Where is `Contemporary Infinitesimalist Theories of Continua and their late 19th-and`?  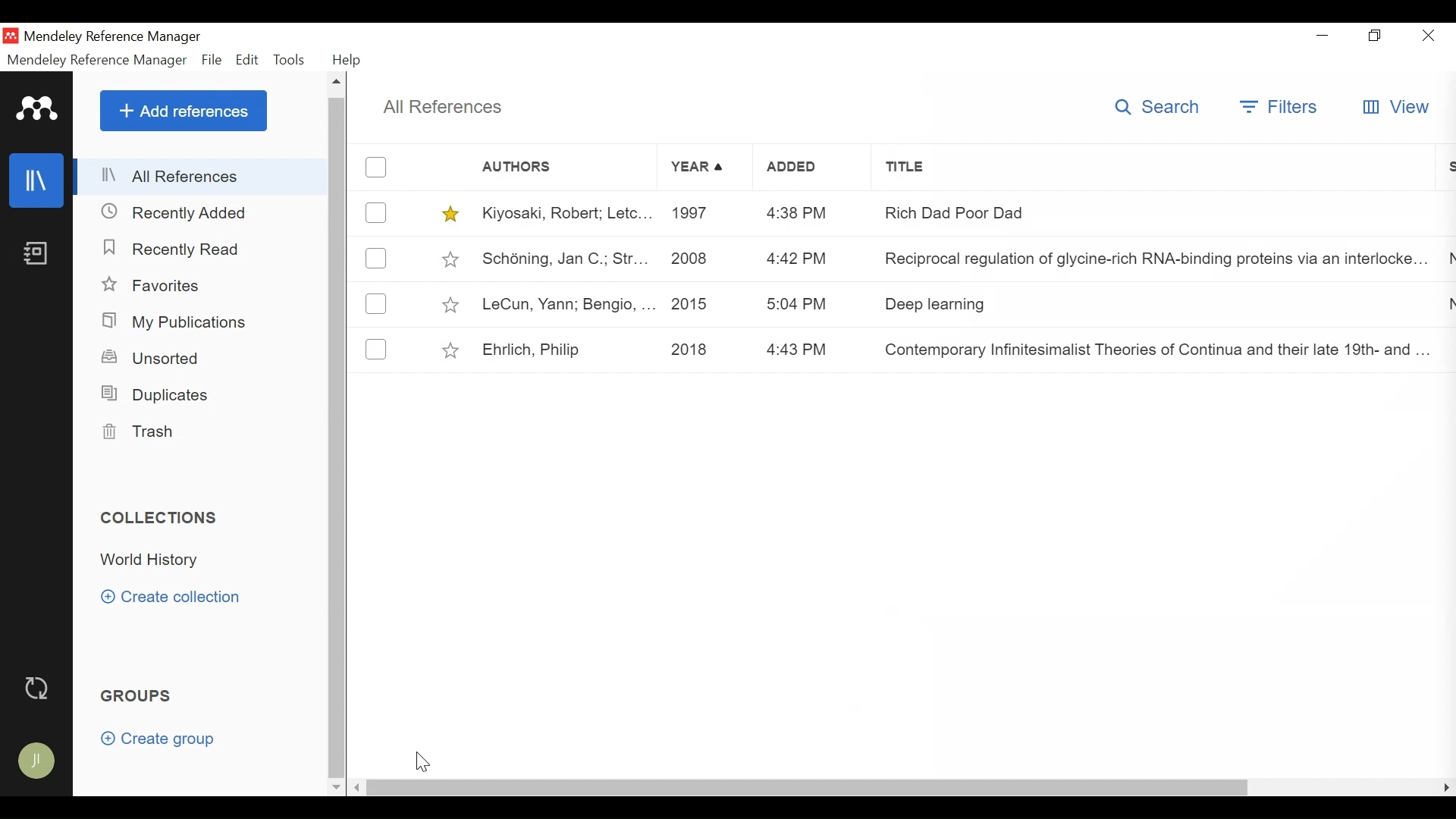 Contemporary Infinitesimalist Theories of Continua and their late 19th-and is located at coordinates (1149, 347).